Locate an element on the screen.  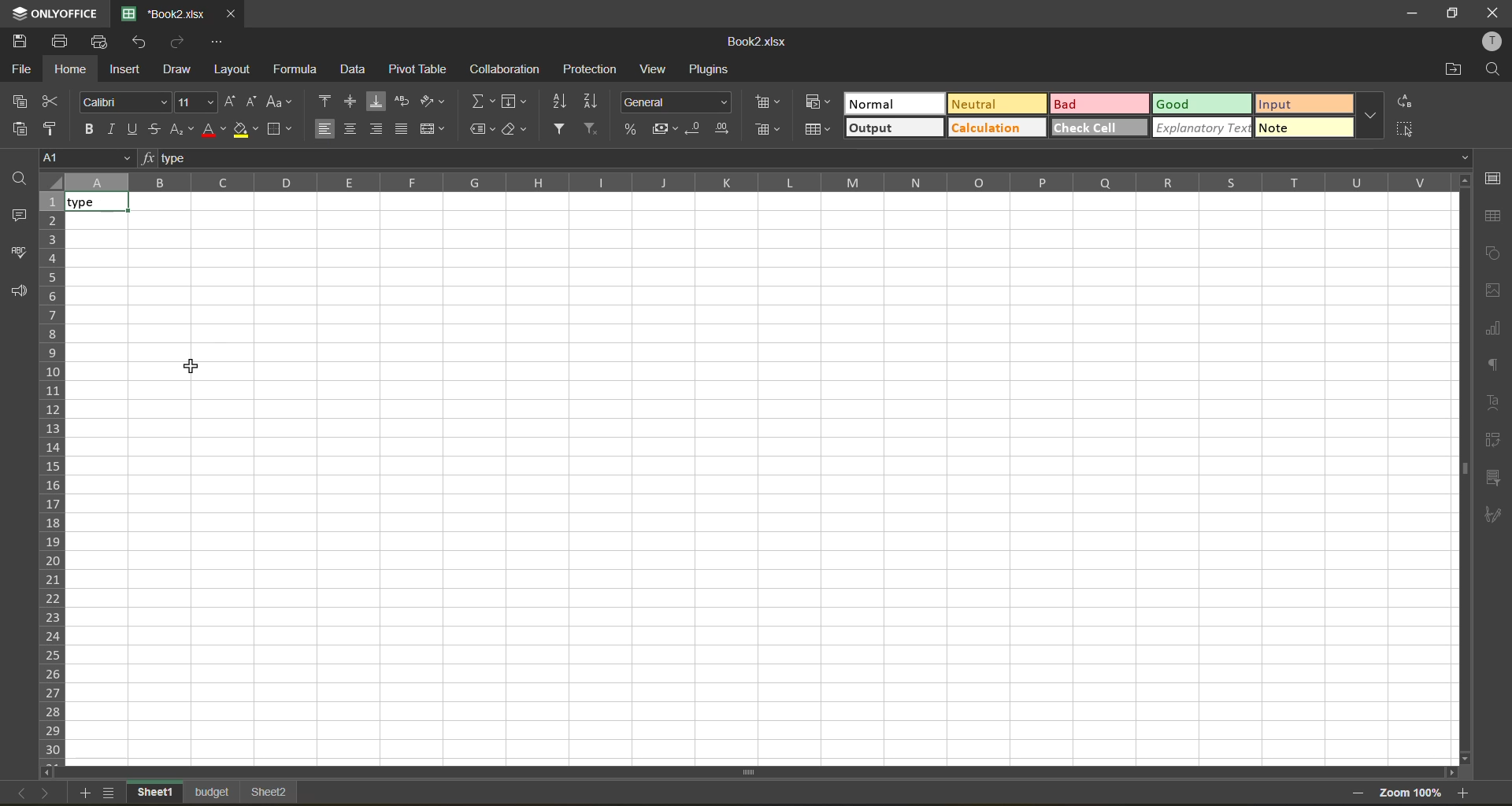
filter is located at coordinates (560, 130).